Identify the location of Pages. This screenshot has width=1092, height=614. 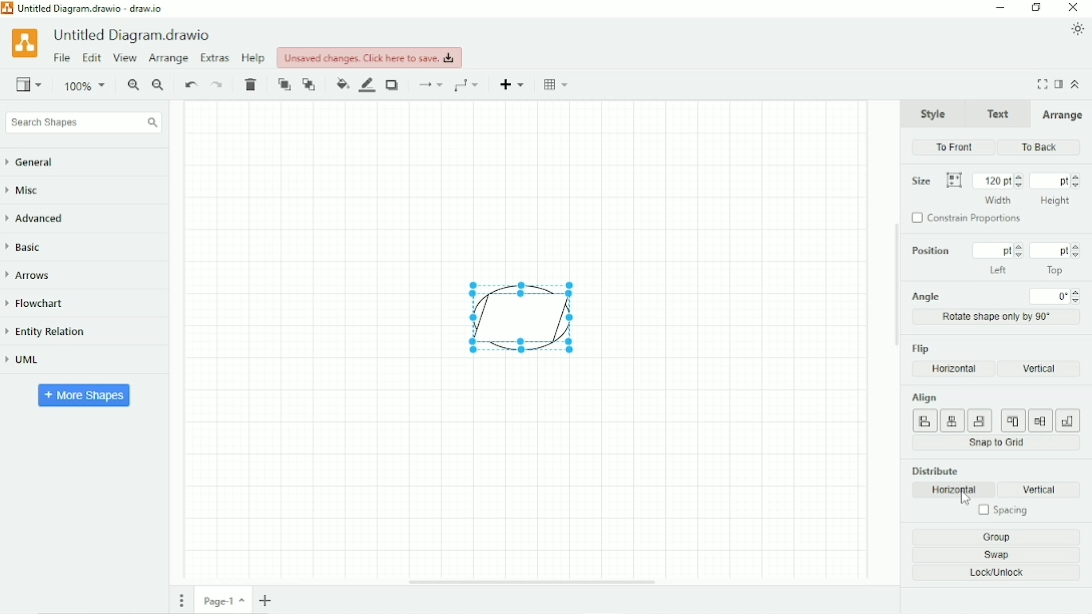
(182, 600).